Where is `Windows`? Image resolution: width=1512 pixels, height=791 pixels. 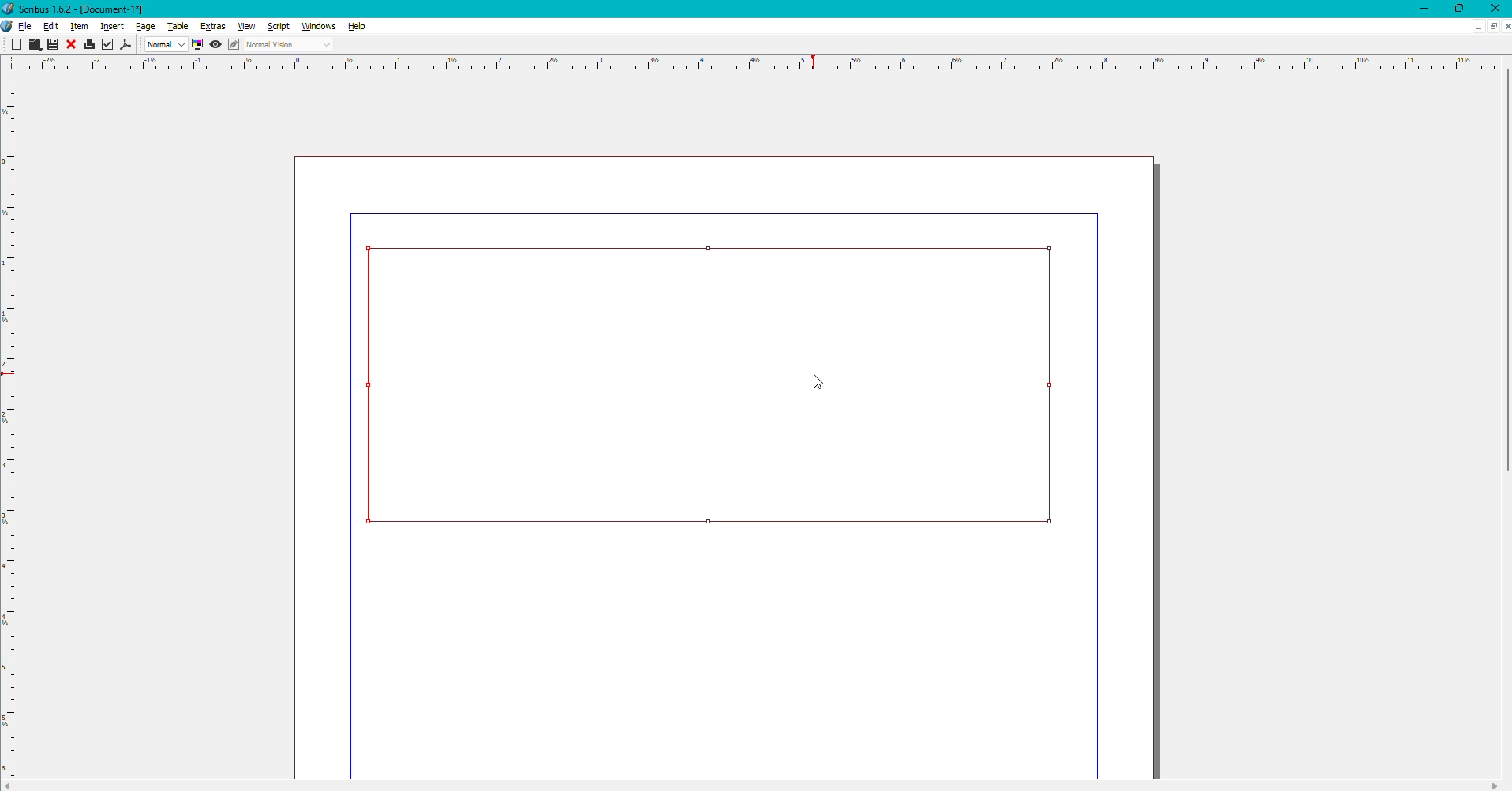 Windows is located at coordinates (317, 27).